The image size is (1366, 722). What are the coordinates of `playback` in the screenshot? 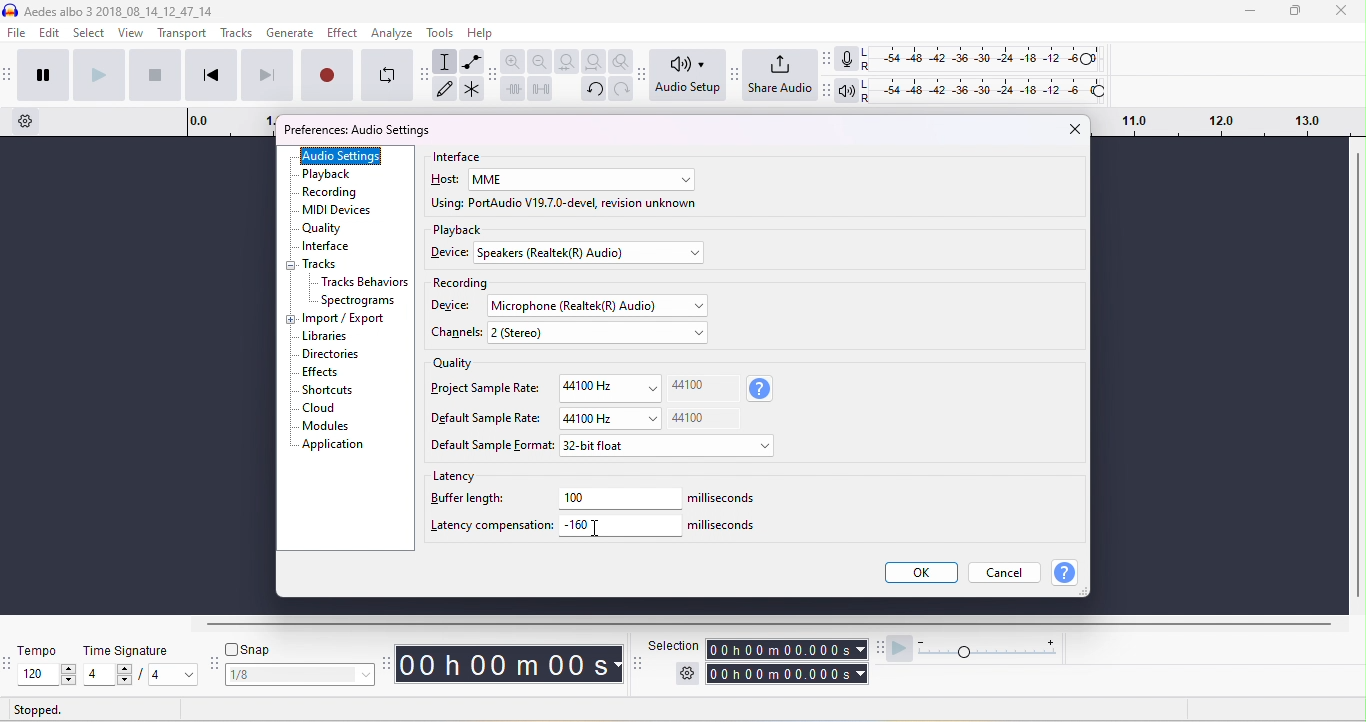 It's located at (327, 174).